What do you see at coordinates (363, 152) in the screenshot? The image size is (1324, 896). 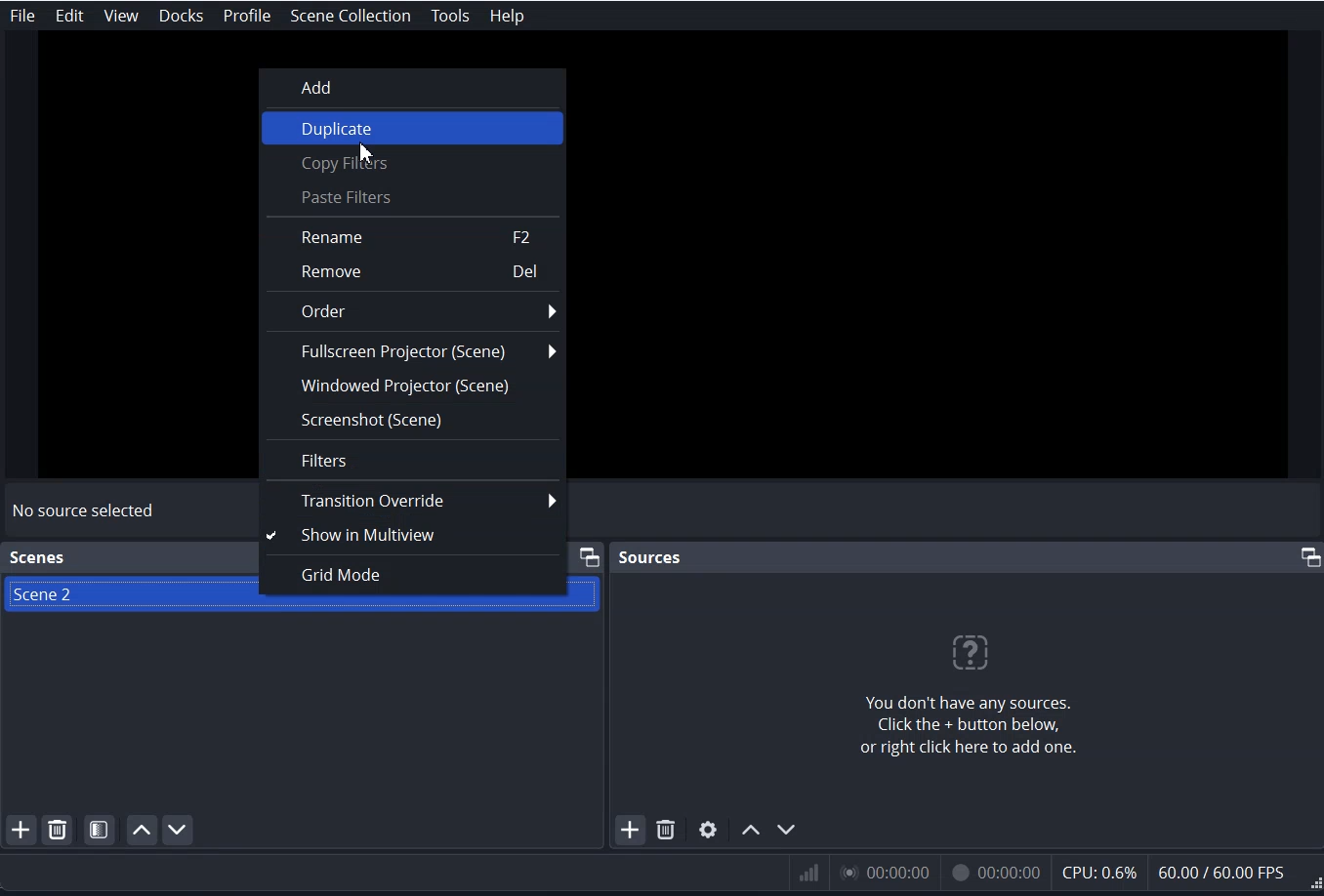 I see `Cursor` at bounding box center [363, 152].